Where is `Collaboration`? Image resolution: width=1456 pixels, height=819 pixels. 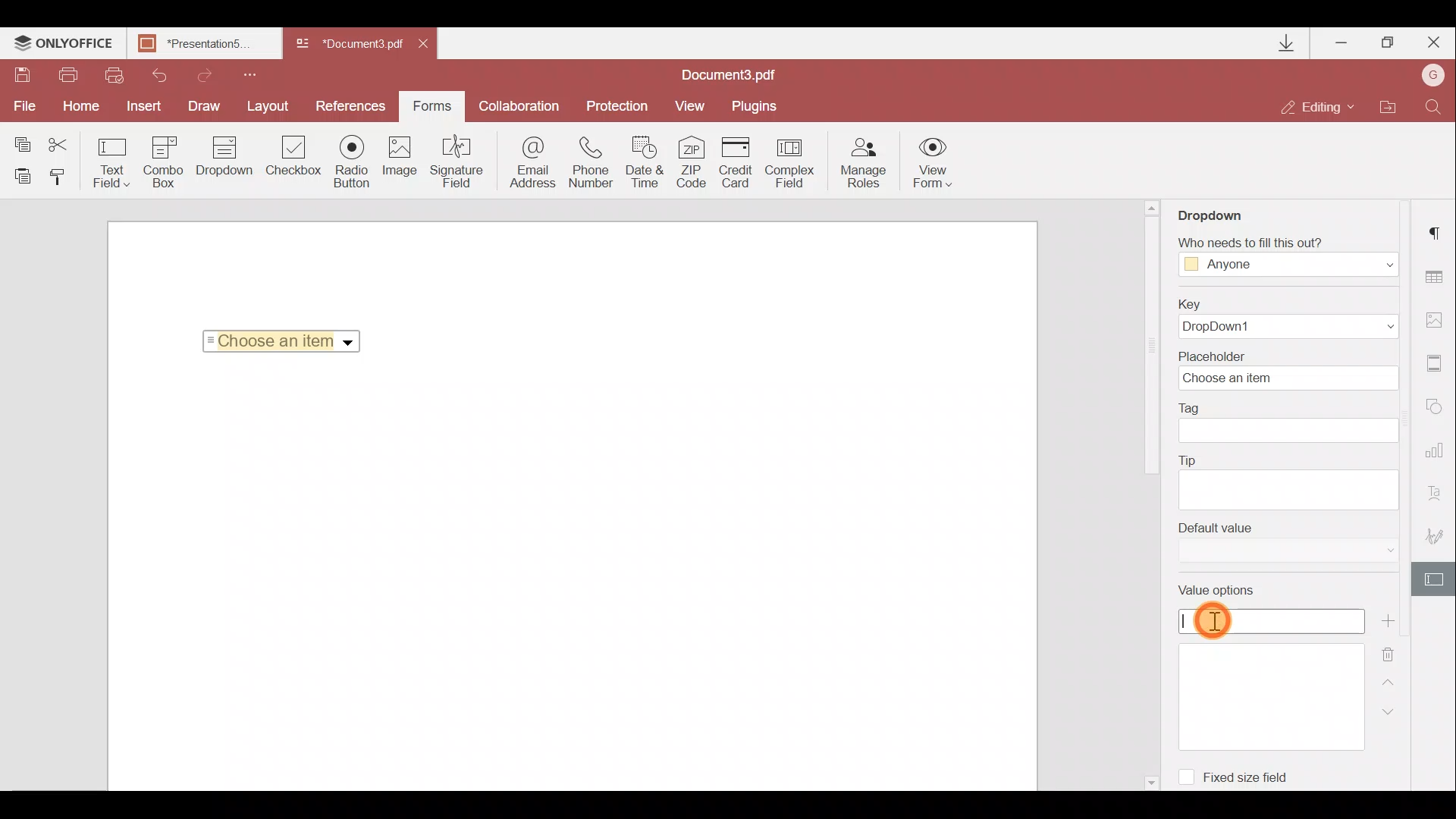
Collaboration is located at coordinates (518, 106).